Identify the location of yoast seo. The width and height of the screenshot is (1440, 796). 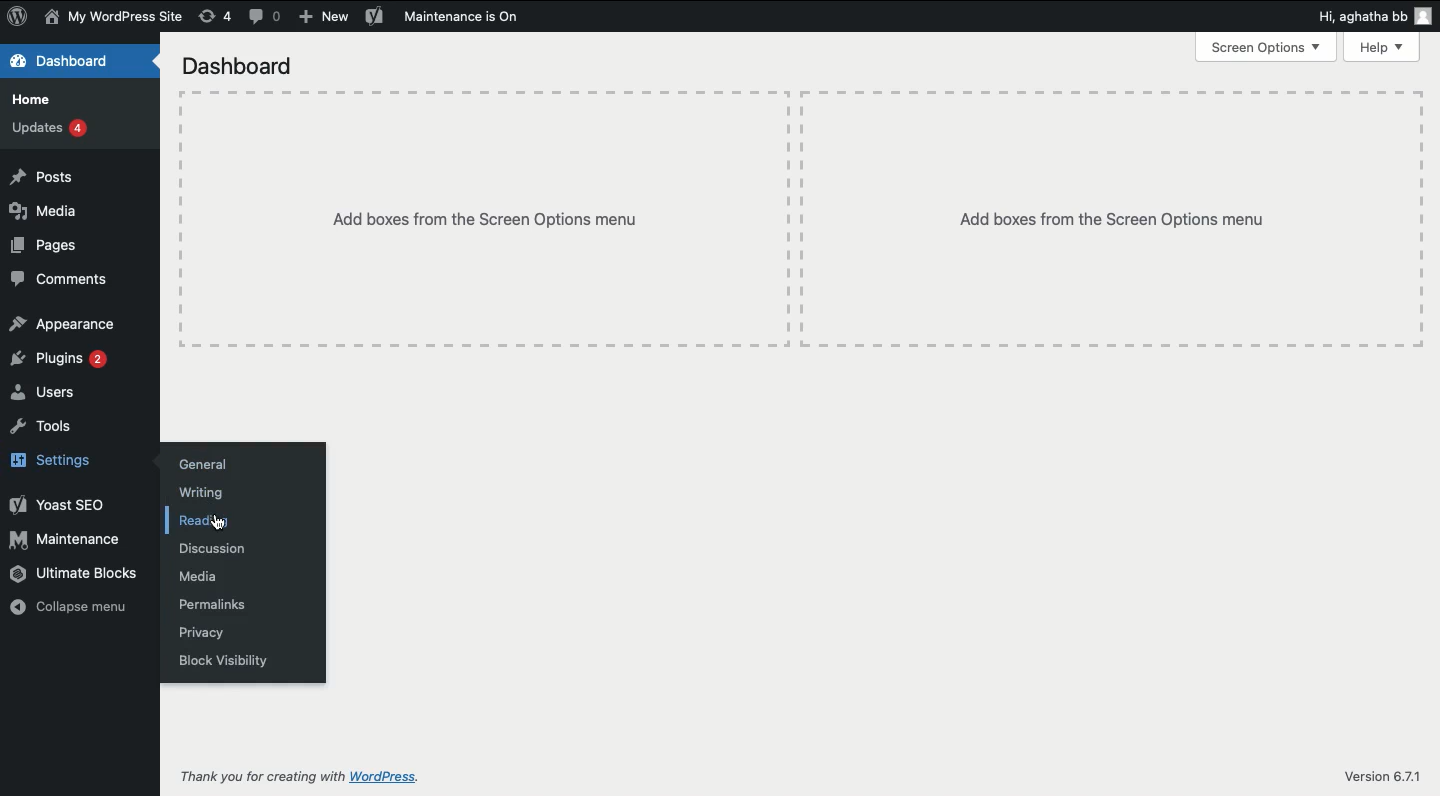
(61, 504).